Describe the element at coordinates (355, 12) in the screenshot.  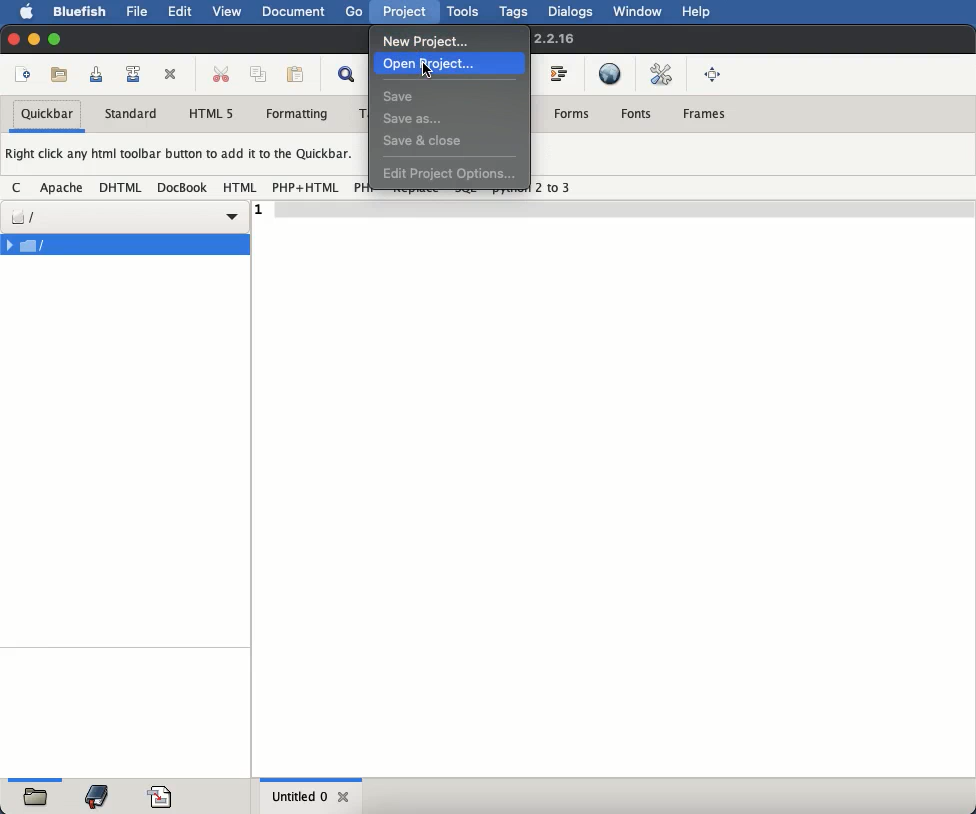
I see `go` at that location.